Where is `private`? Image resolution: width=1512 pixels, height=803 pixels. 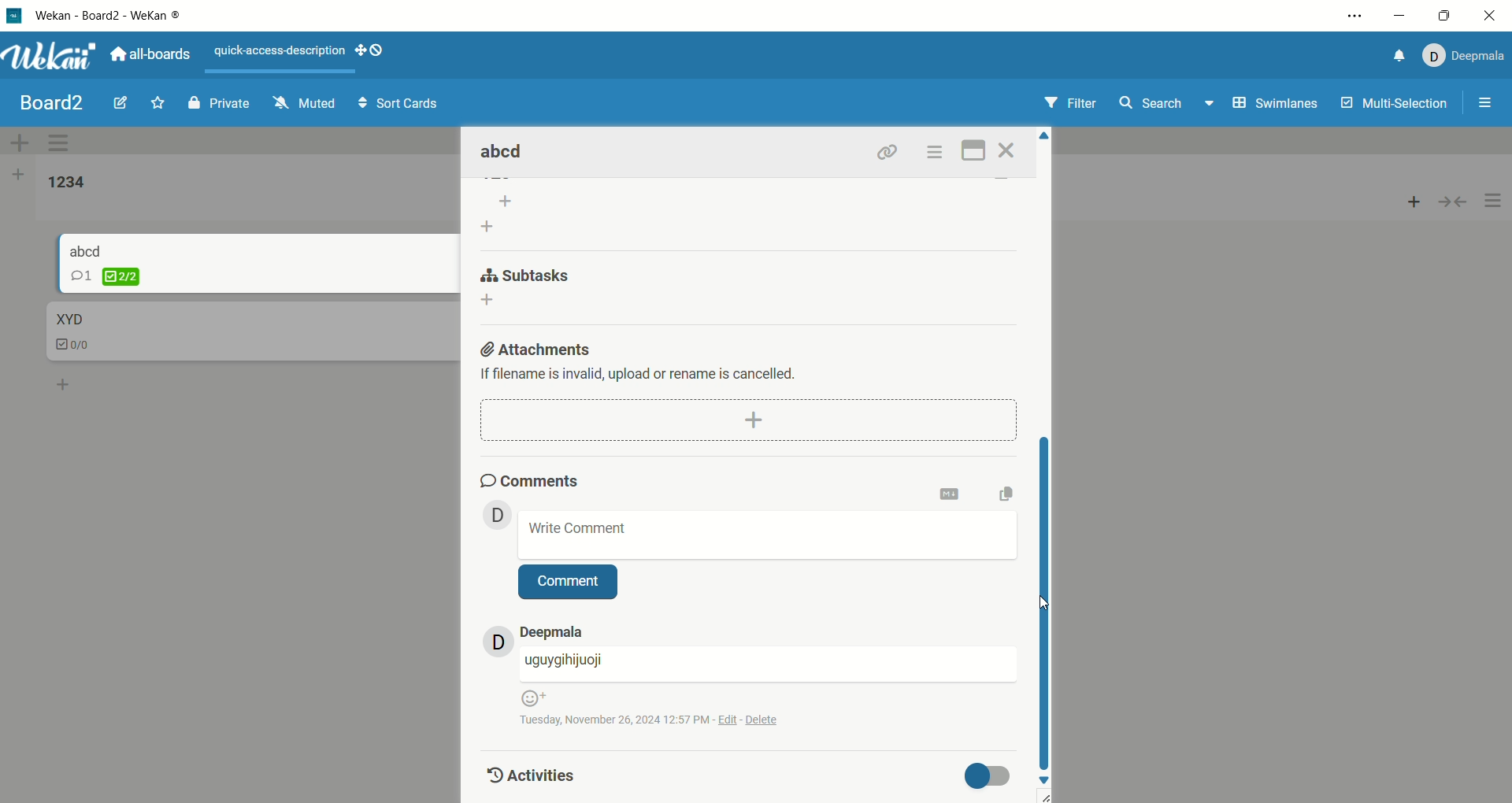
private is located at coordinates (219, 102).